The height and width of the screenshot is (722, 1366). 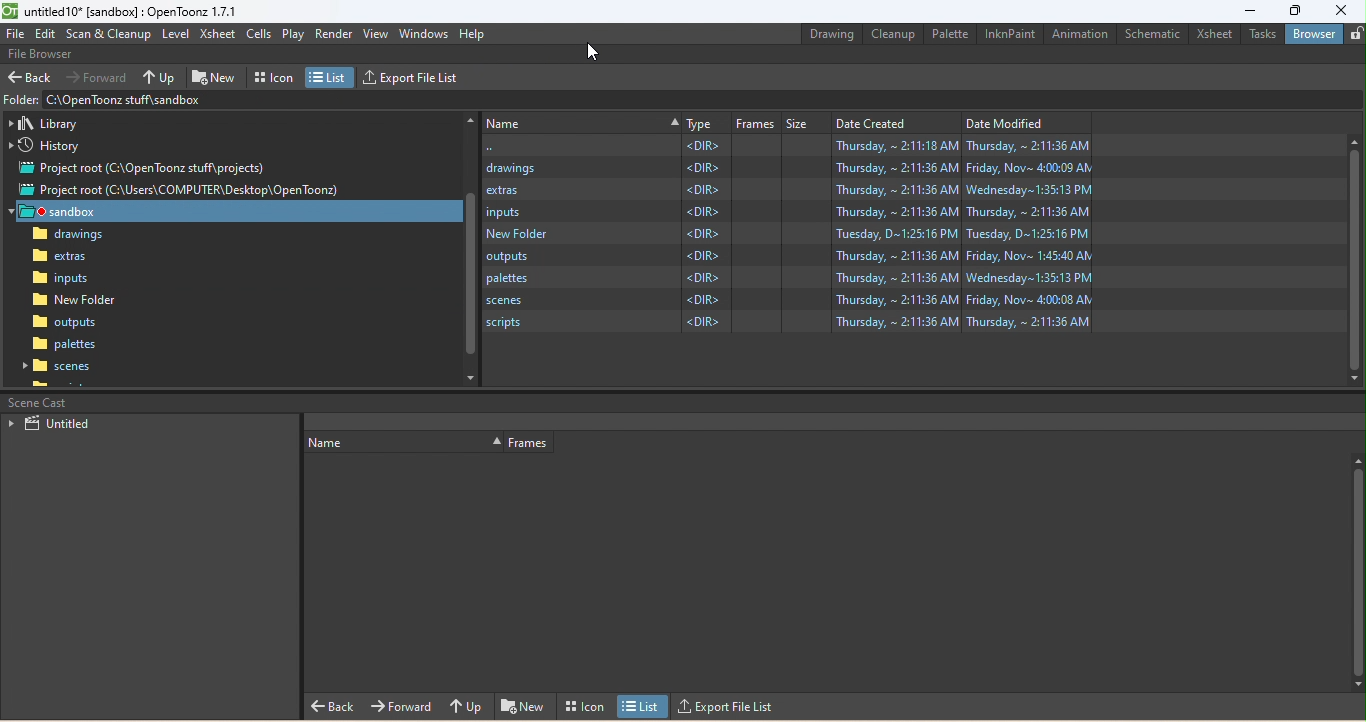 What do you see at coordinates (807, 125) in the screenshot?
I see `Size` at bounding box center [807, 125].